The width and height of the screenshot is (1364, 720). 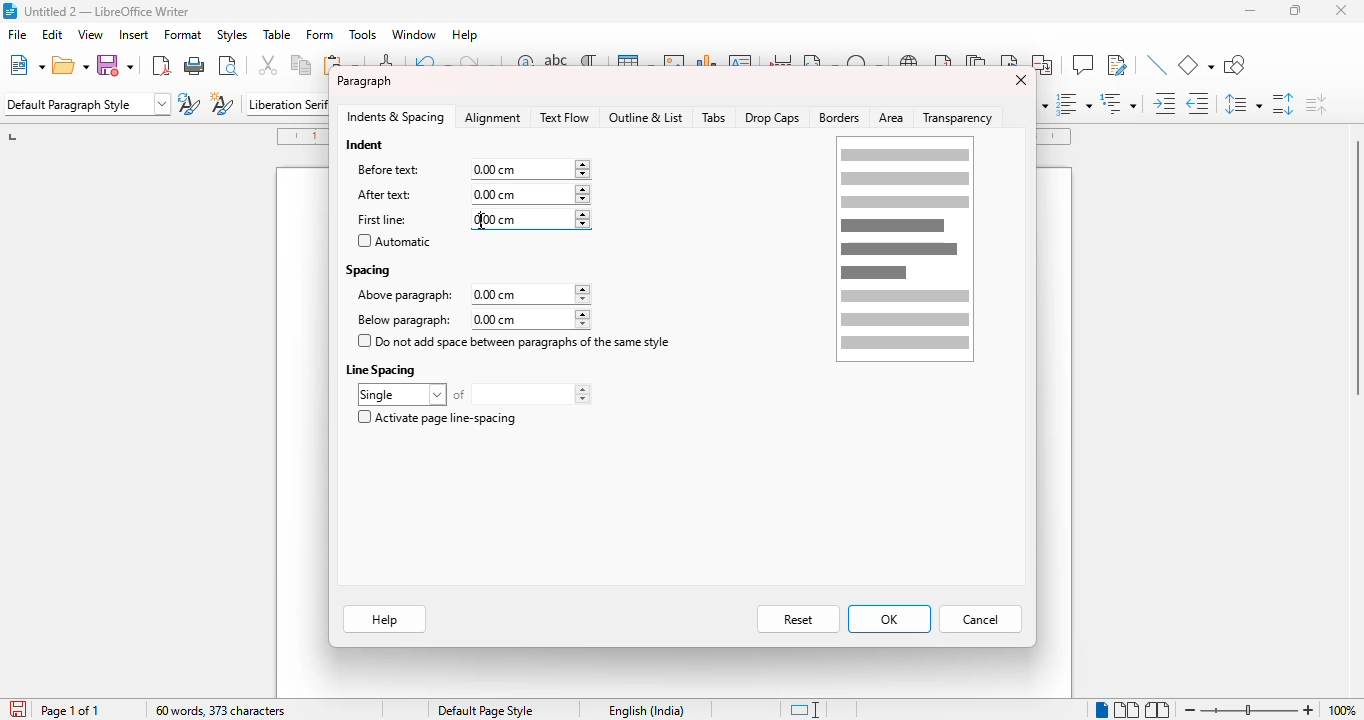 I want to click on format, so click(x=183, y=35).